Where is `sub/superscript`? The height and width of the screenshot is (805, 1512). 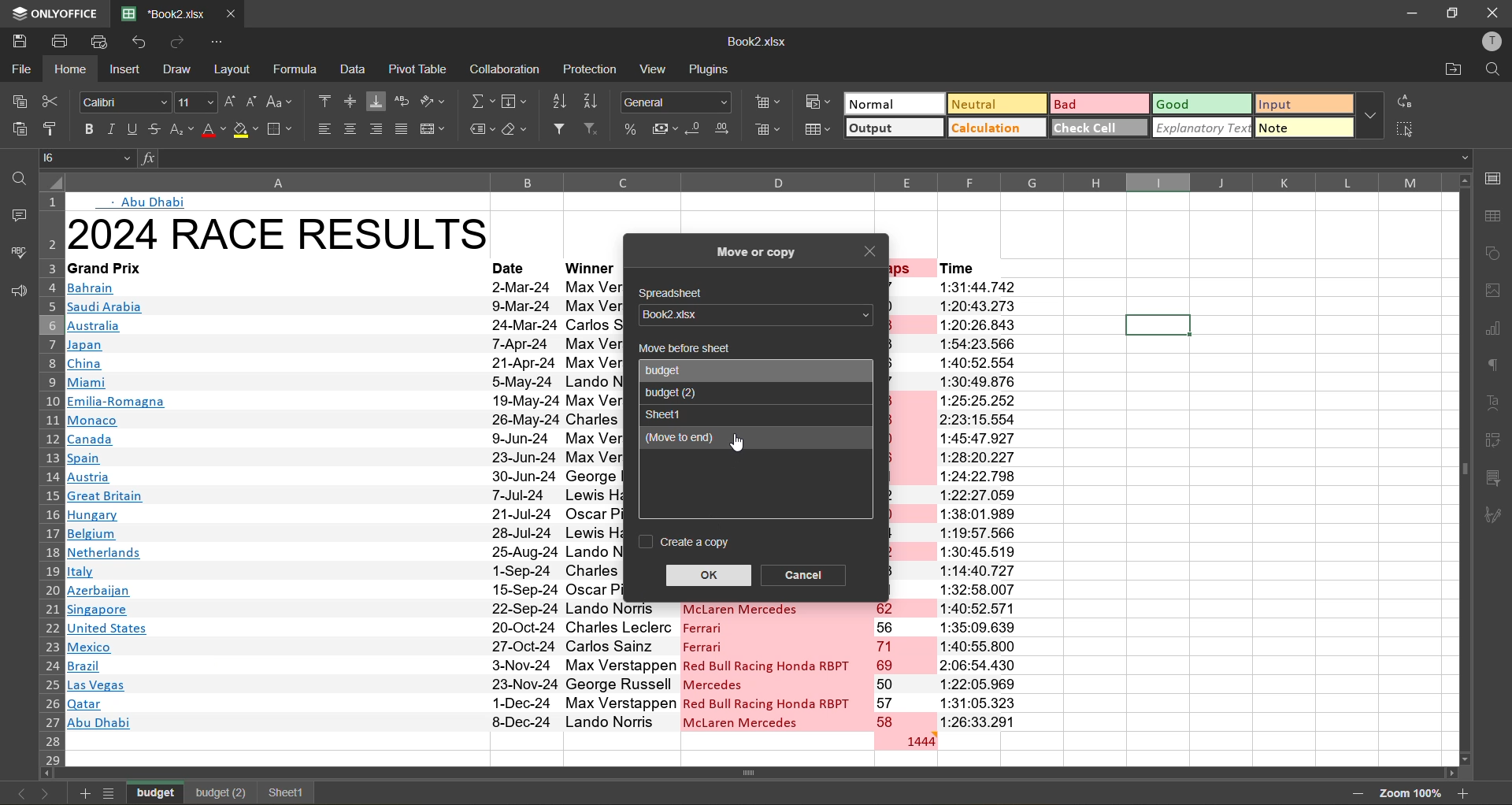
sub/superscript is located at coordinates (181, 131).